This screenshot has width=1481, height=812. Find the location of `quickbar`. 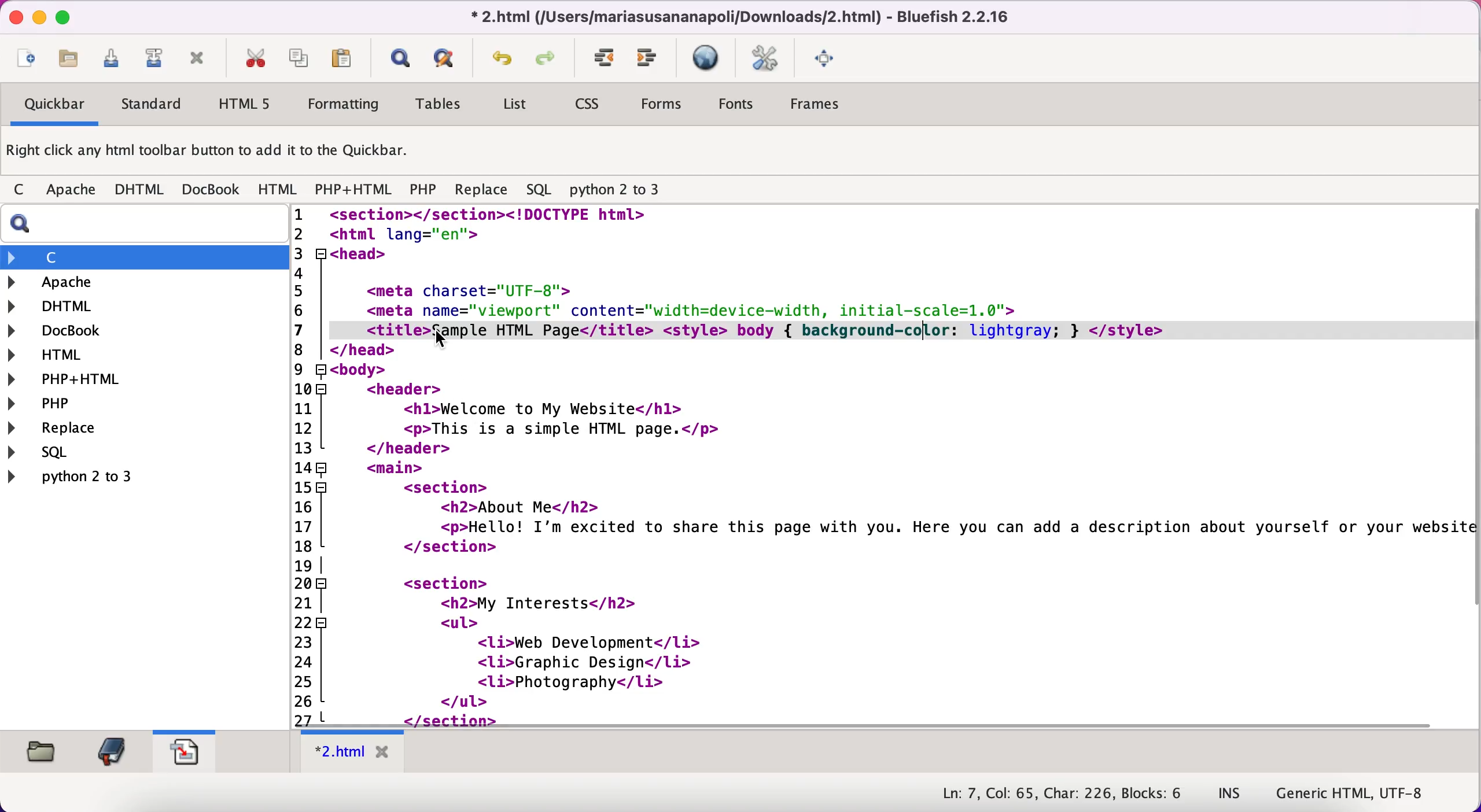

quickbar is located at coordinates (53, 106).